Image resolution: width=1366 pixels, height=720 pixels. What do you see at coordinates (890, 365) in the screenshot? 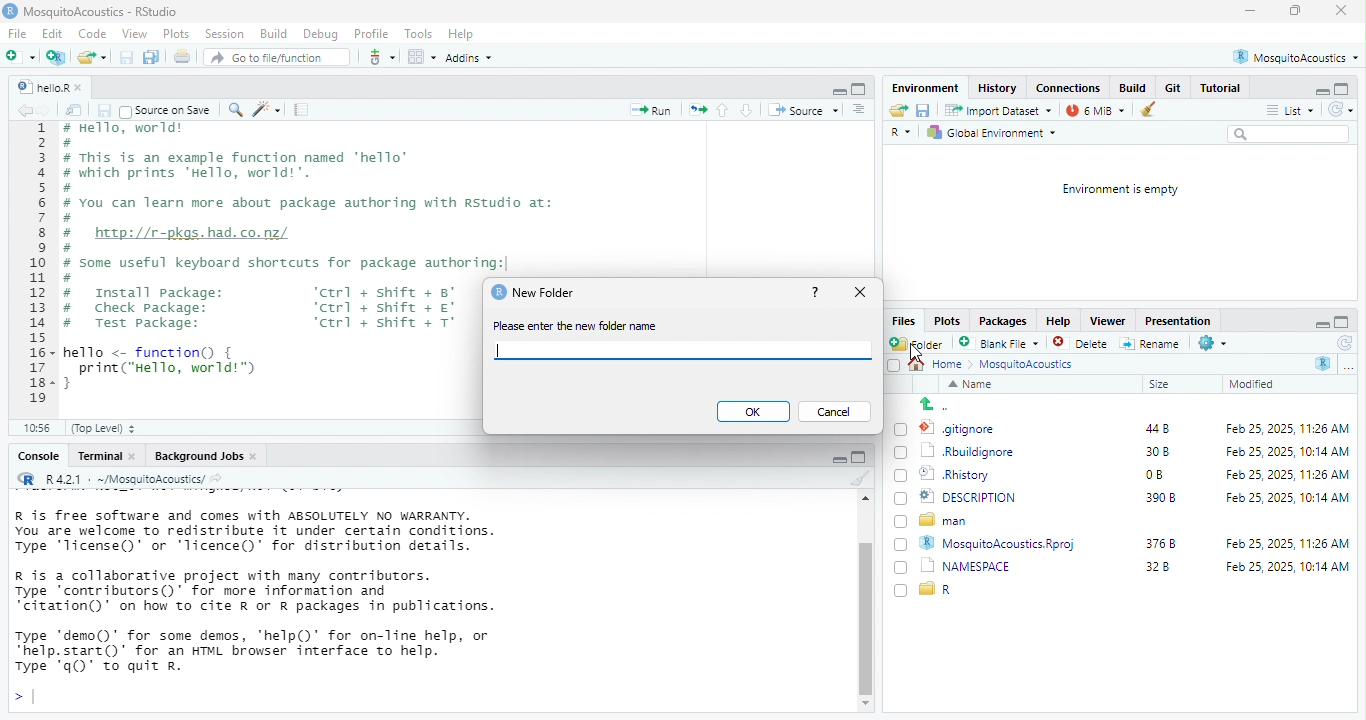
I see `checkbox` at bounding box center [890, 365].